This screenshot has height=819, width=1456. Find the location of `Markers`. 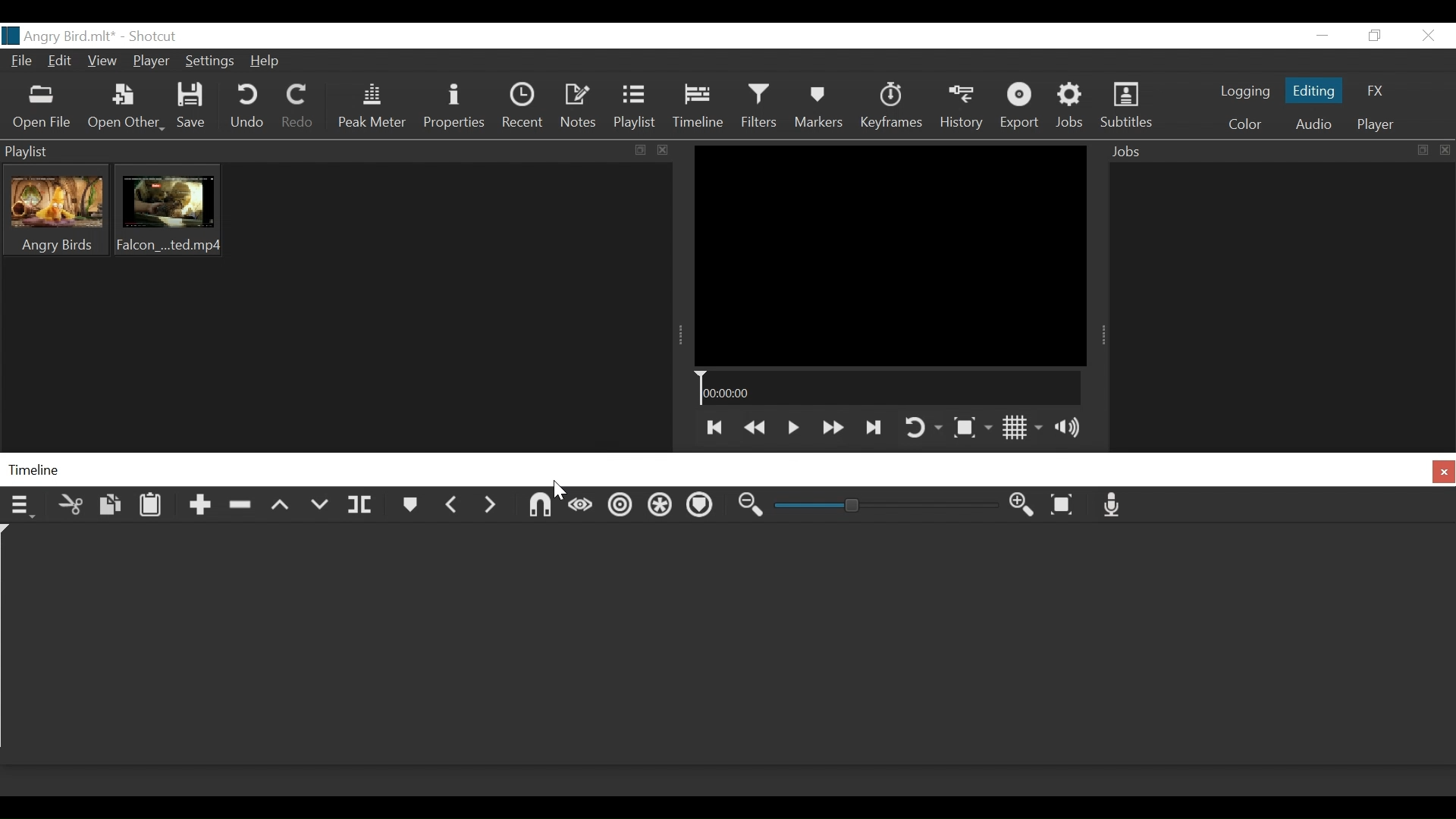

Markers is located at coordinates (408, 507).